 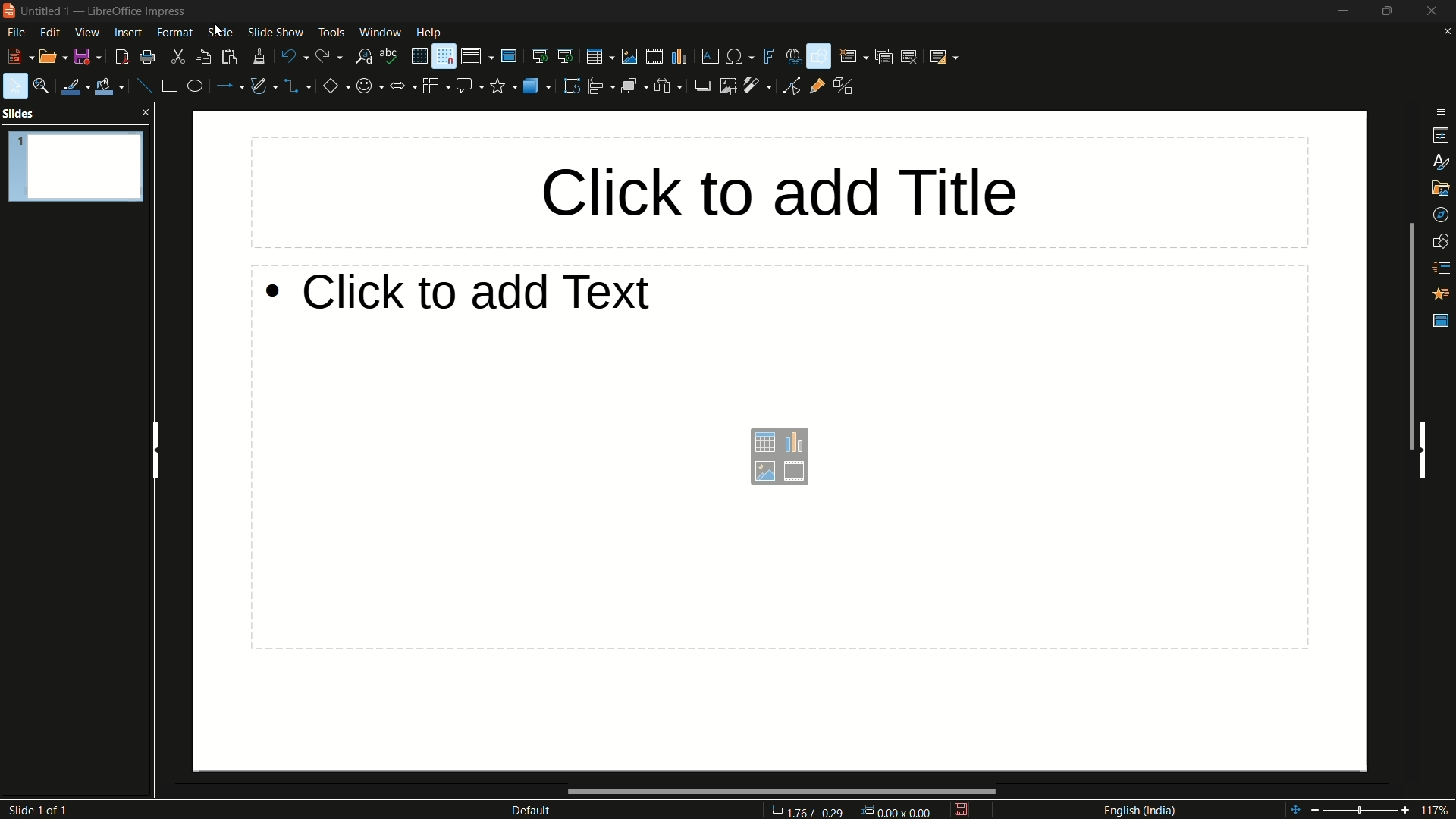 I want to click on display grid, so click(x=417, y=57).